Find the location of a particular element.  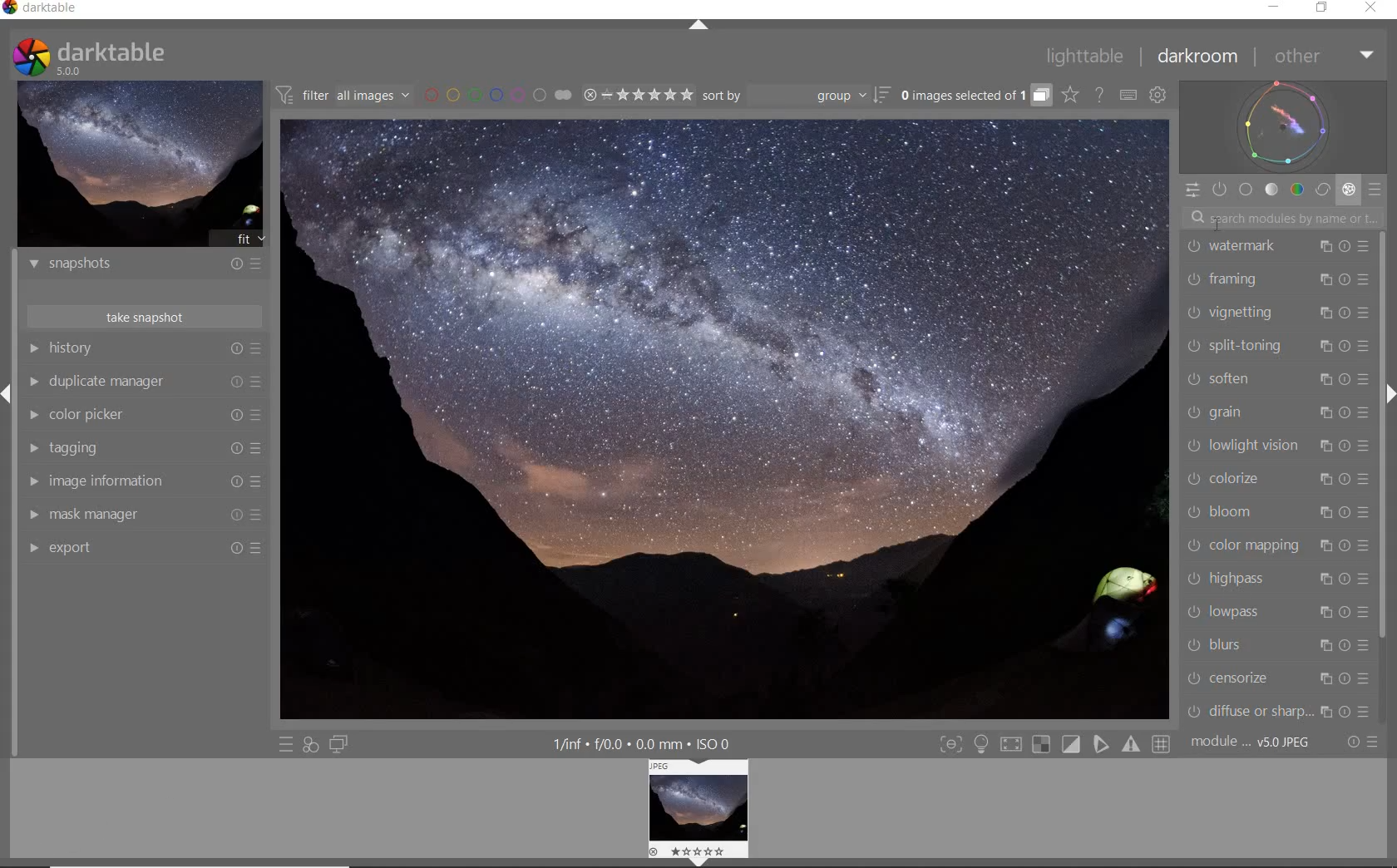

presets is located at coordinates (1366, 244).